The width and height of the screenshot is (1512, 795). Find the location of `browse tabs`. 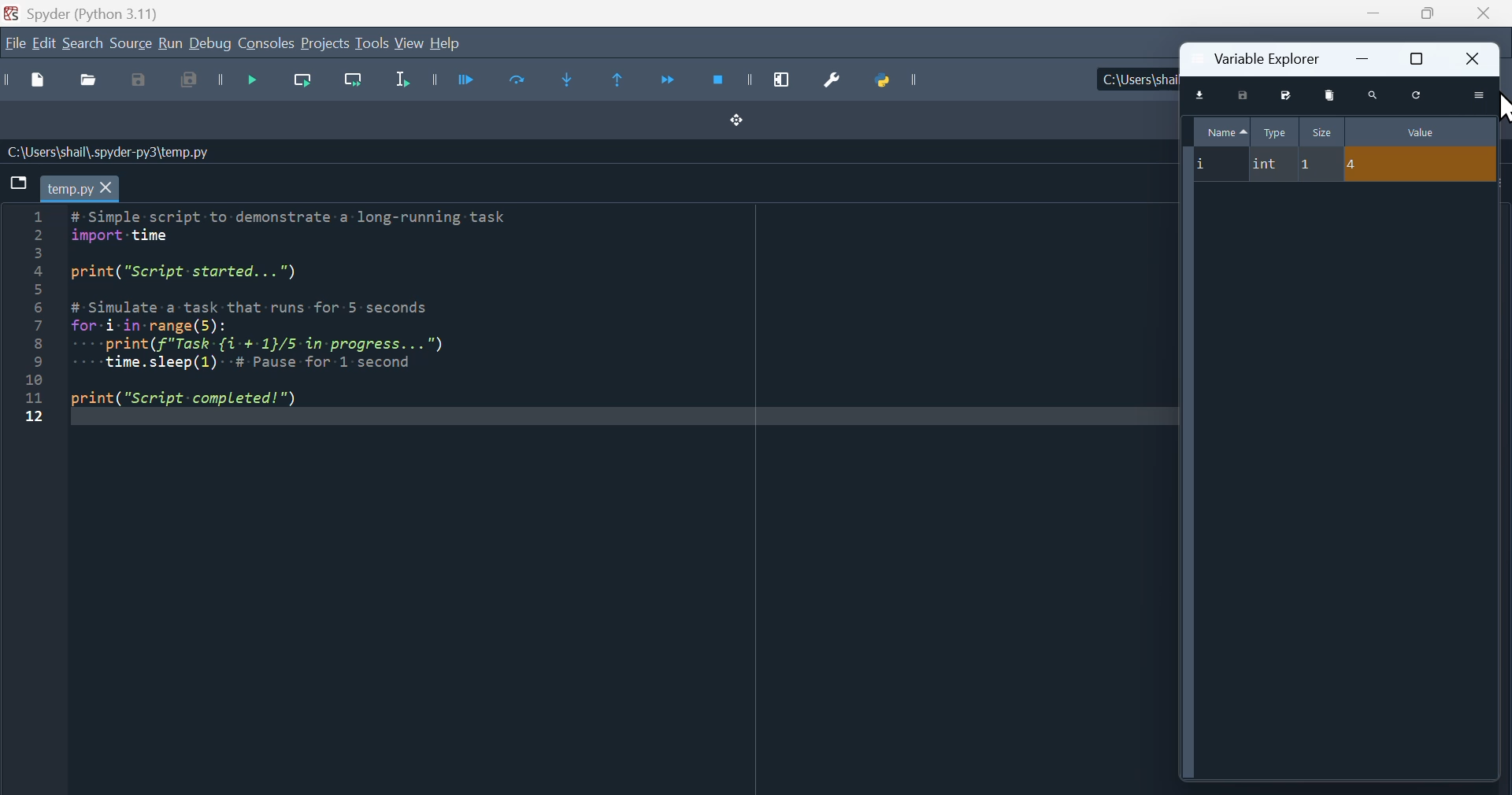

browse tabs is located at coordinates (18, 183).